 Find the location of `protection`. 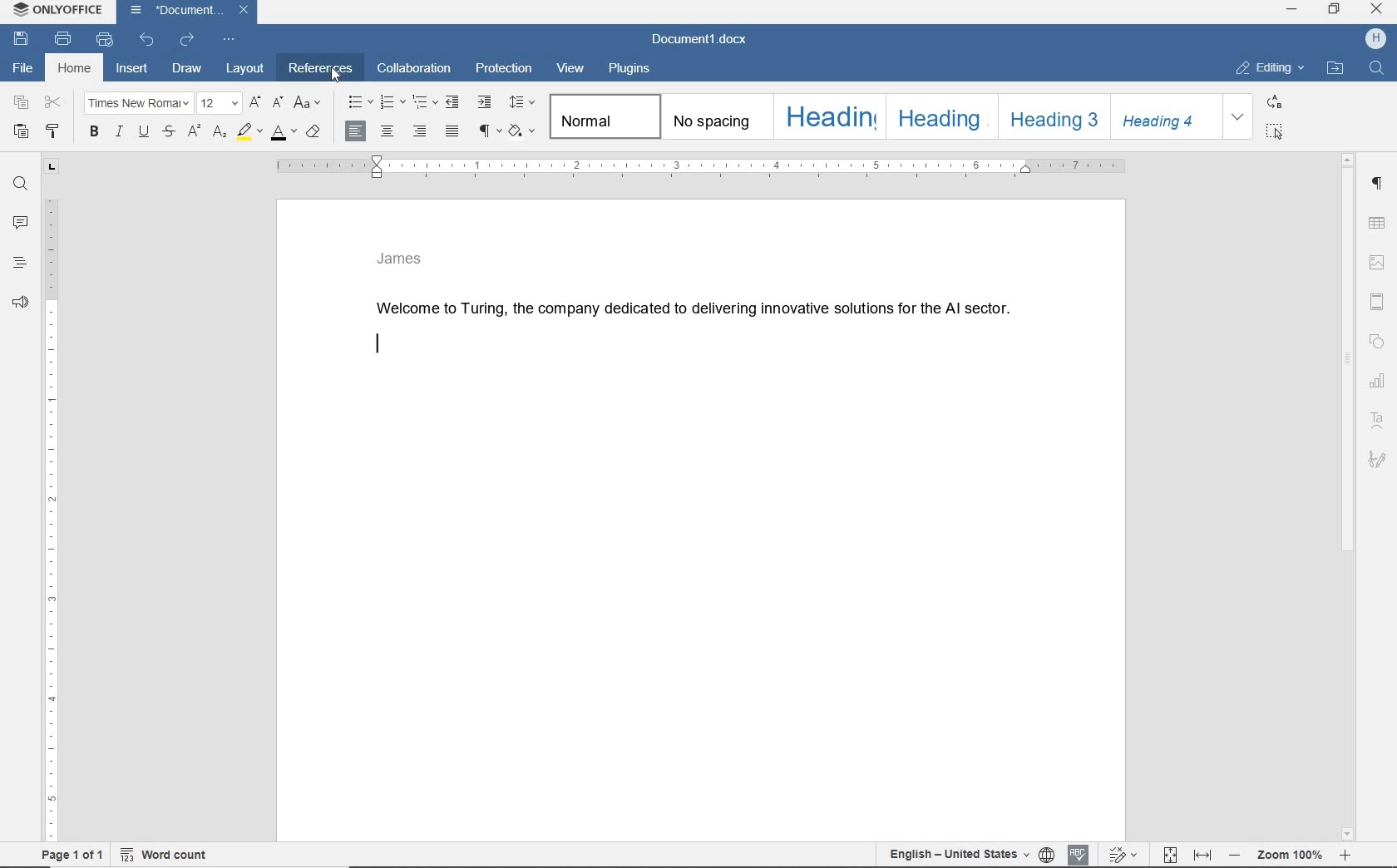

protection is located at coordinates (506, 70).